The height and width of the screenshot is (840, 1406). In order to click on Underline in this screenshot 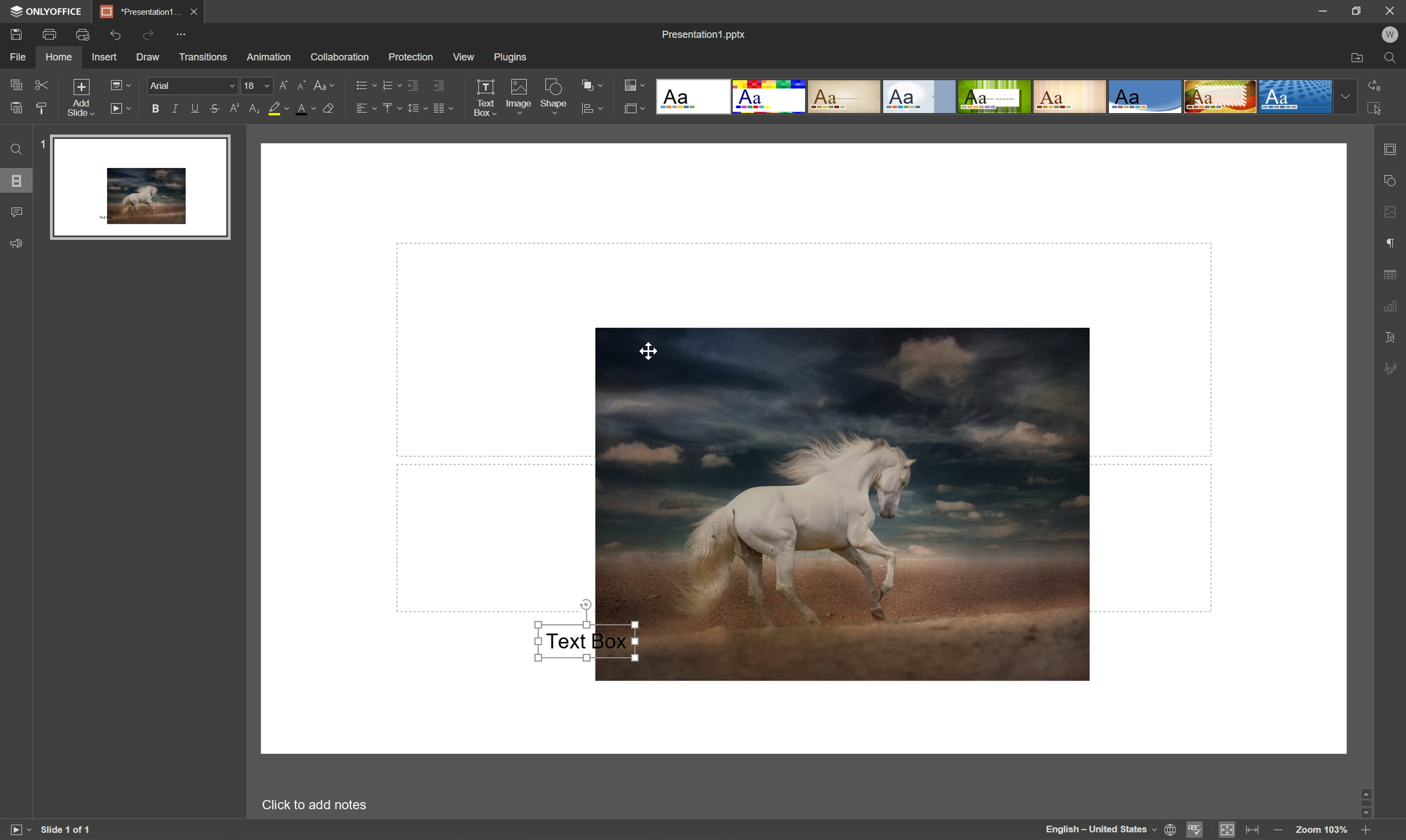, I will do `click(194, 109)`.